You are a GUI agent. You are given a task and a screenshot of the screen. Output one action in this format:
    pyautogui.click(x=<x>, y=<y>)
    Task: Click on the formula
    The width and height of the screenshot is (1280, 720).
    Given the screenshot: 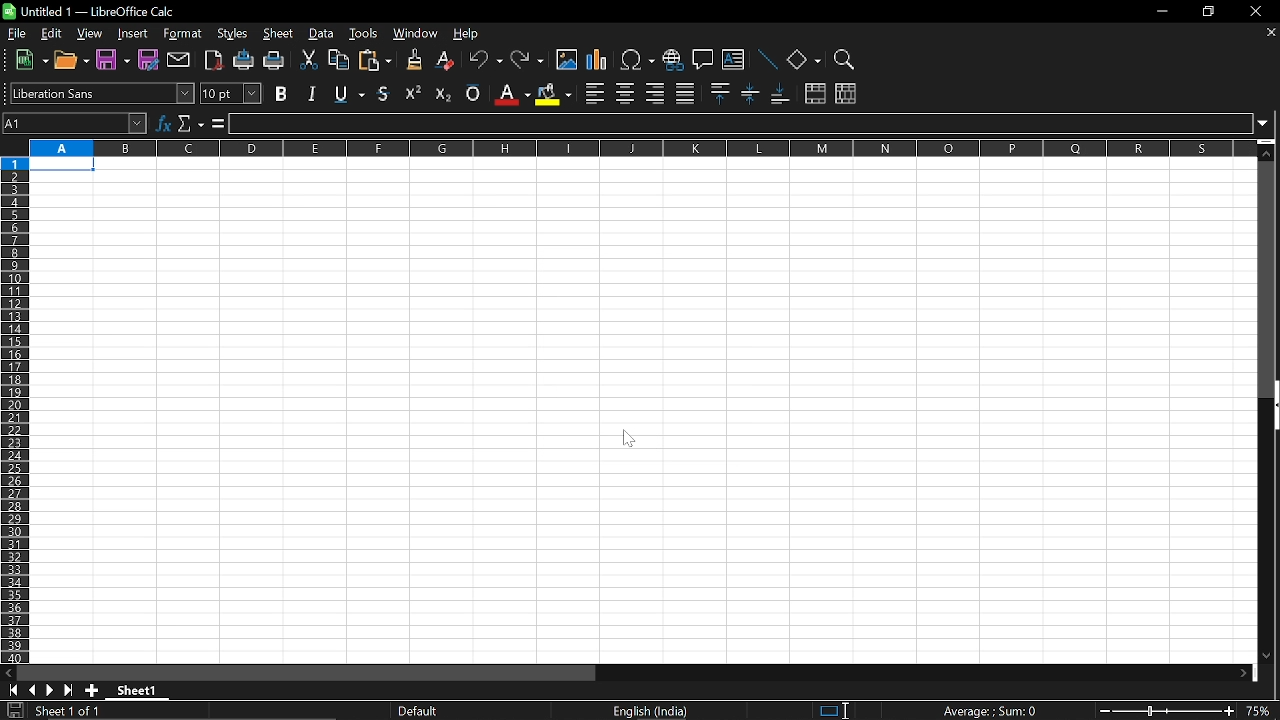 What is the action you would take?
    pyautogui.click(x=216, y=124)
    